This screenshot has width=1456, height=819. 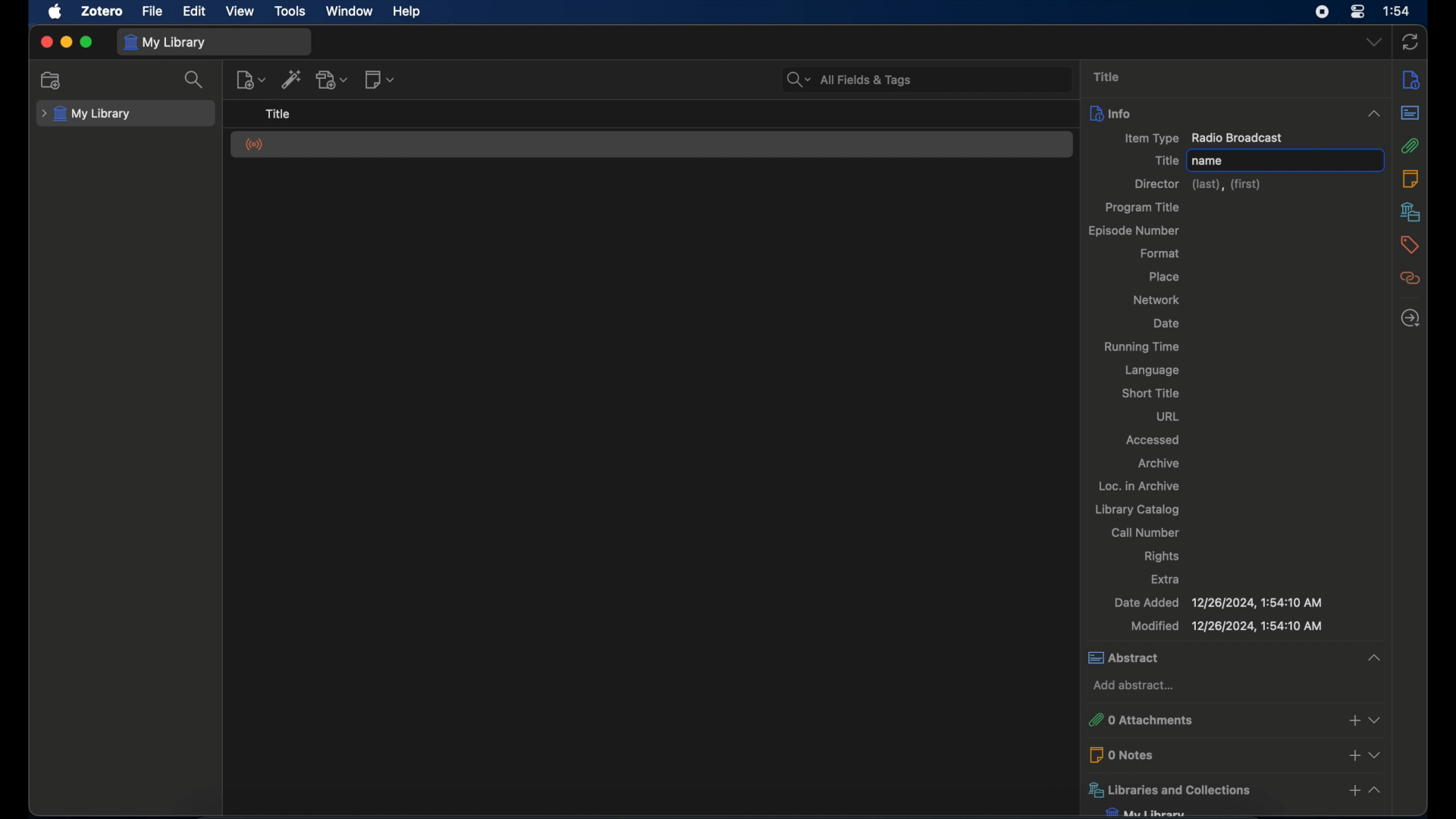 I want to click on place, so click(x=1164, y=276).